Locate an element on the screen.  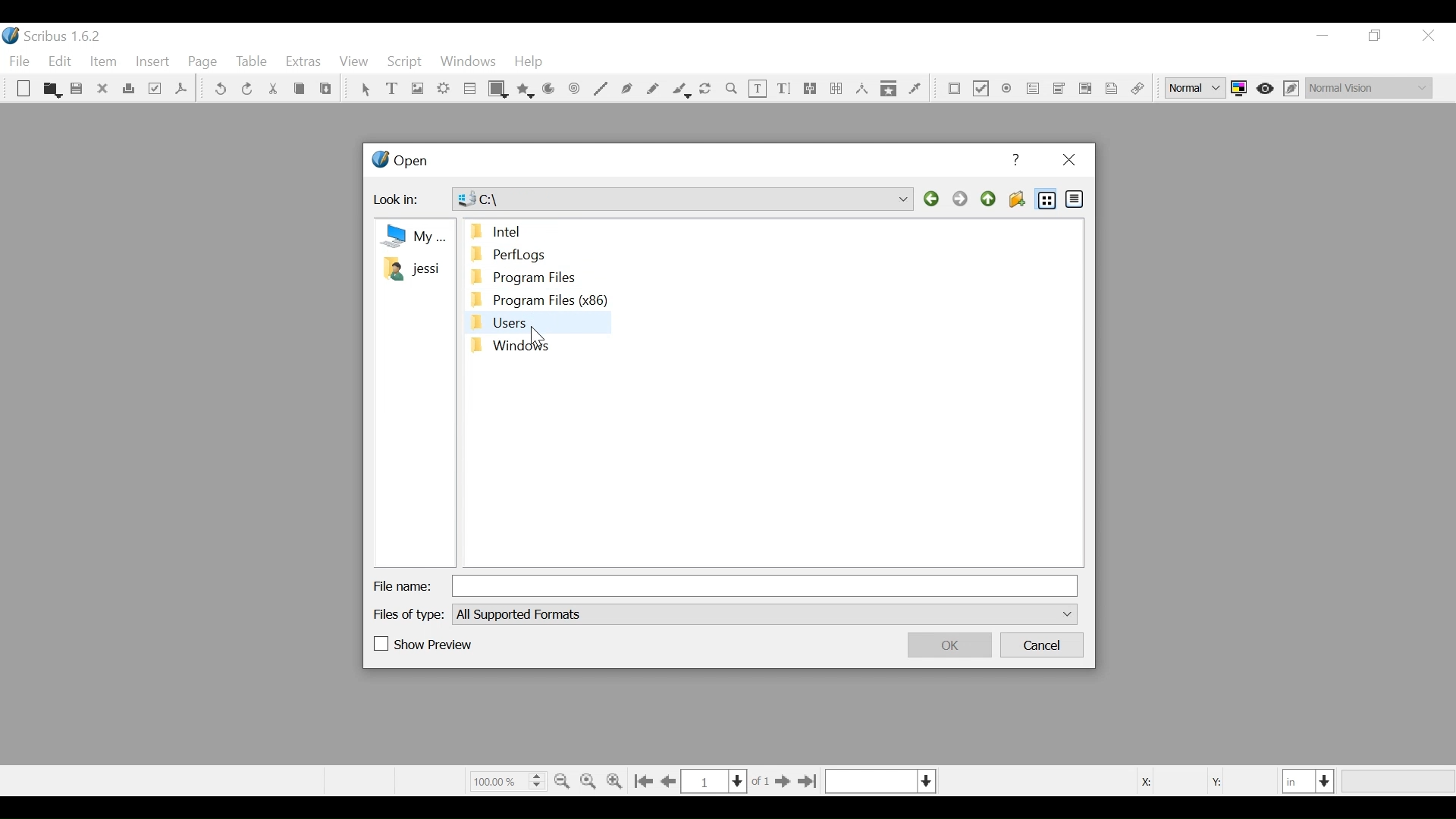
File Name is located at coordinates (403, 586).